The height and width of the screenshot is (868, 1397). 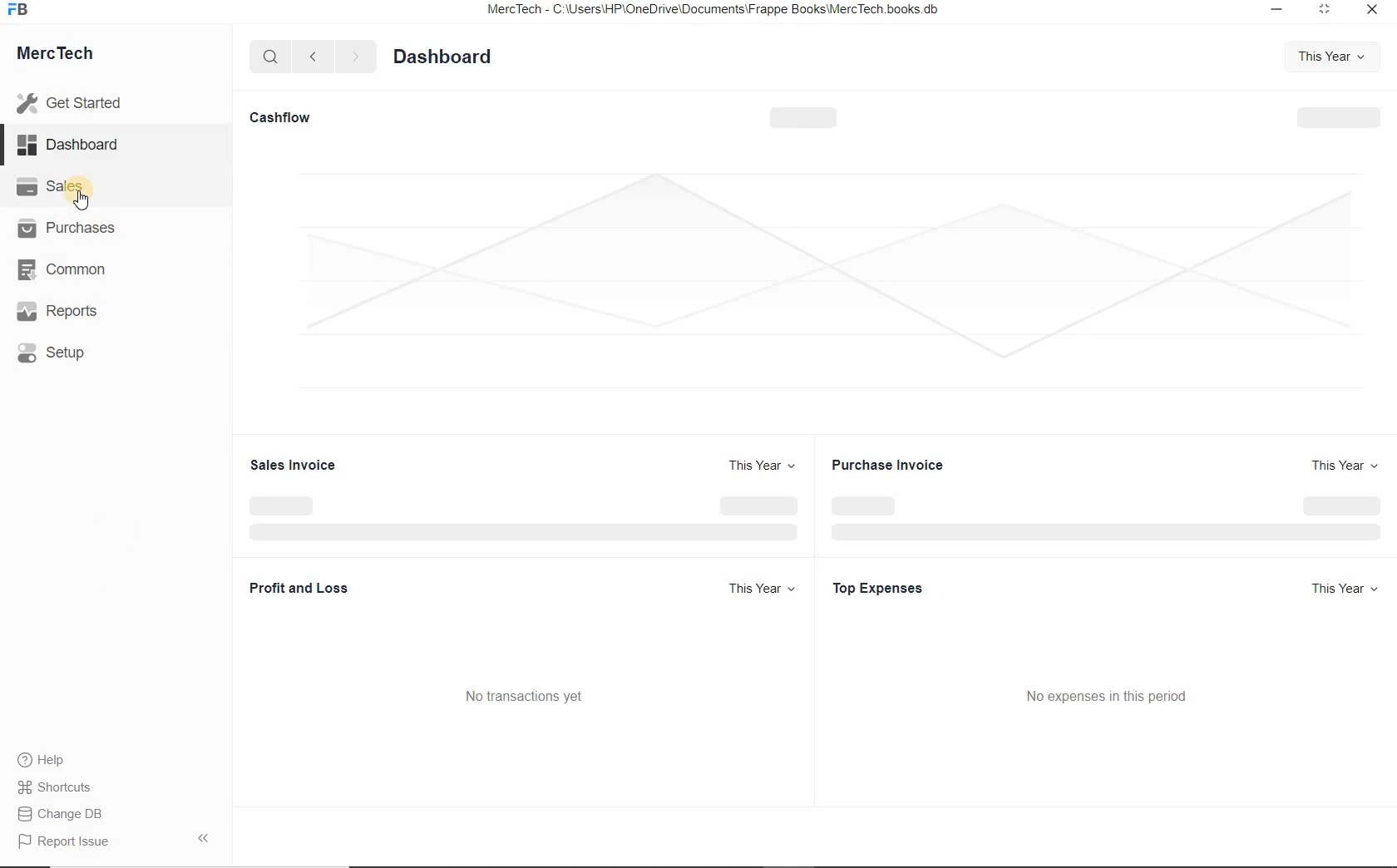 What do you see at coordinates (1374, 11) in the screenshot?
I see `Close` at bounding box center [1374, 11].